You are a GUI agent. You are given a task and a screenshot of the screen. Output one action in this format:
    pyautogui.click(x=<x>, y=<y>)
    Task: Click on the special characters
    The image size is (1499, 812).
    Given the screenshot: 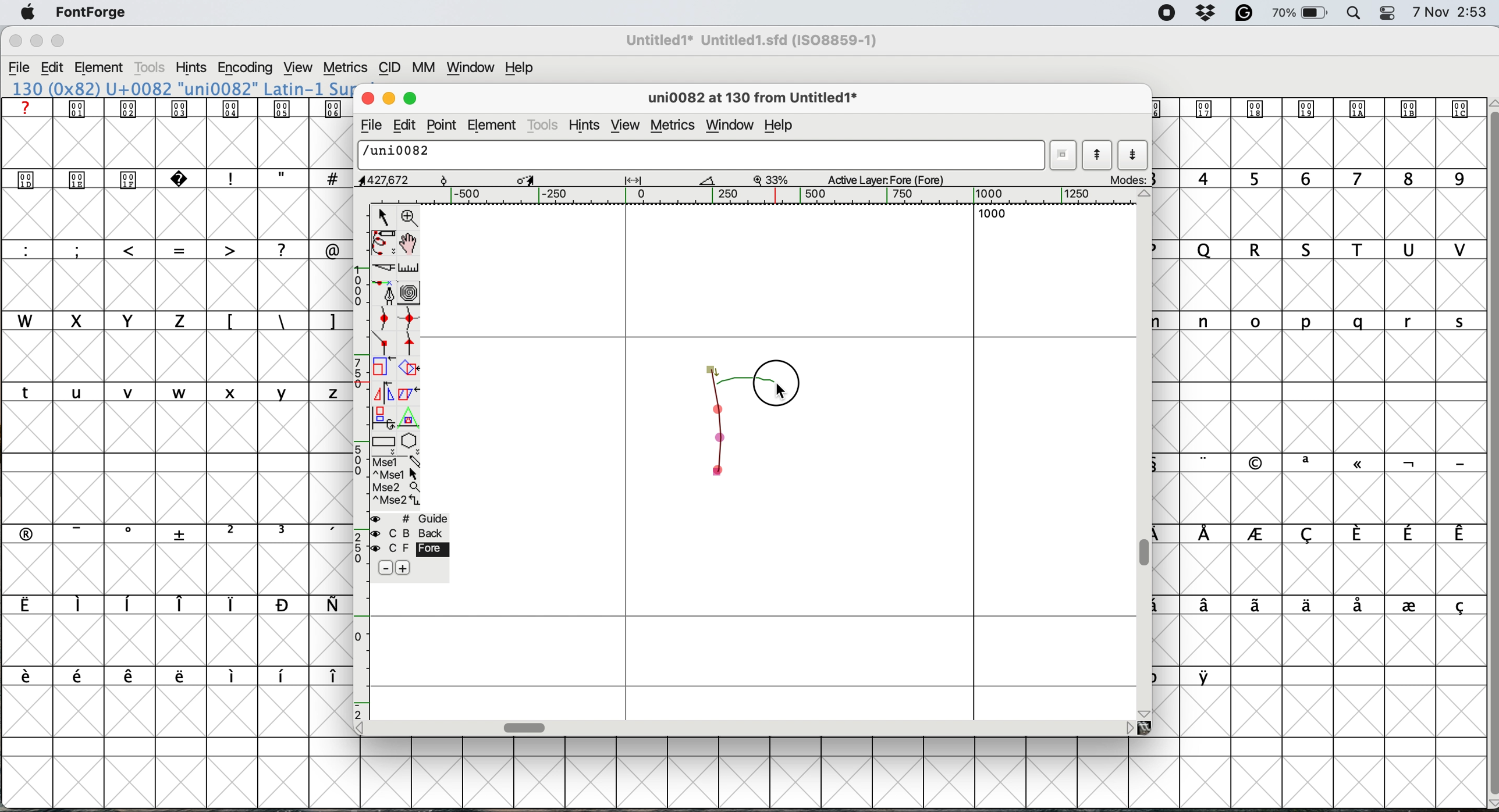 What is the action you would take?
    pyautogui.click(x=169, y=249)
    